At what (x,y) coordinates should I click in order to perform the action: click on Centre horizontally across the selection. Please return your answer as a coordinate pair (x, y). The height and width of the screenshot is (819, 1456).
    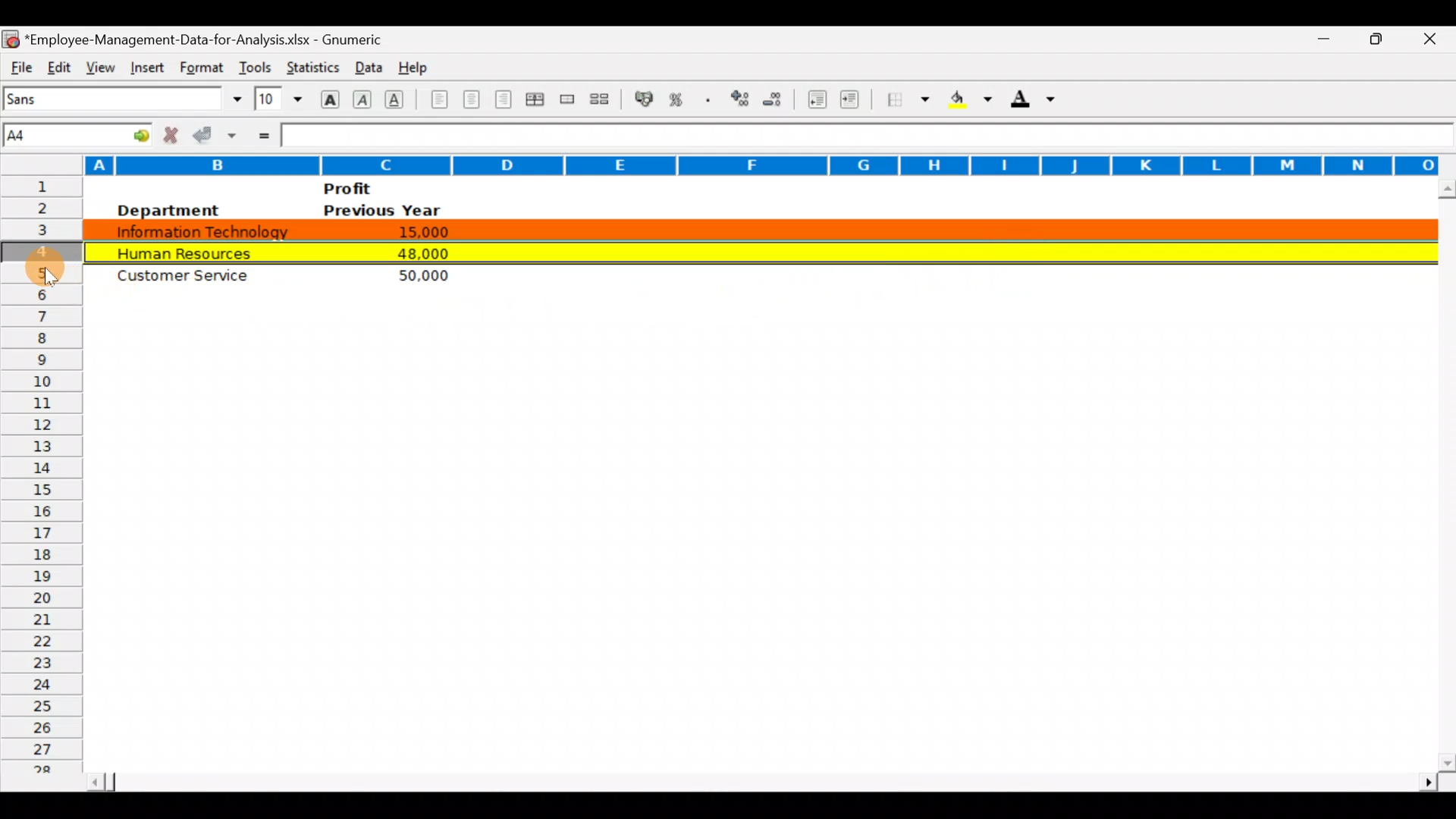
    Looking at the image, I should click on (538, 102).